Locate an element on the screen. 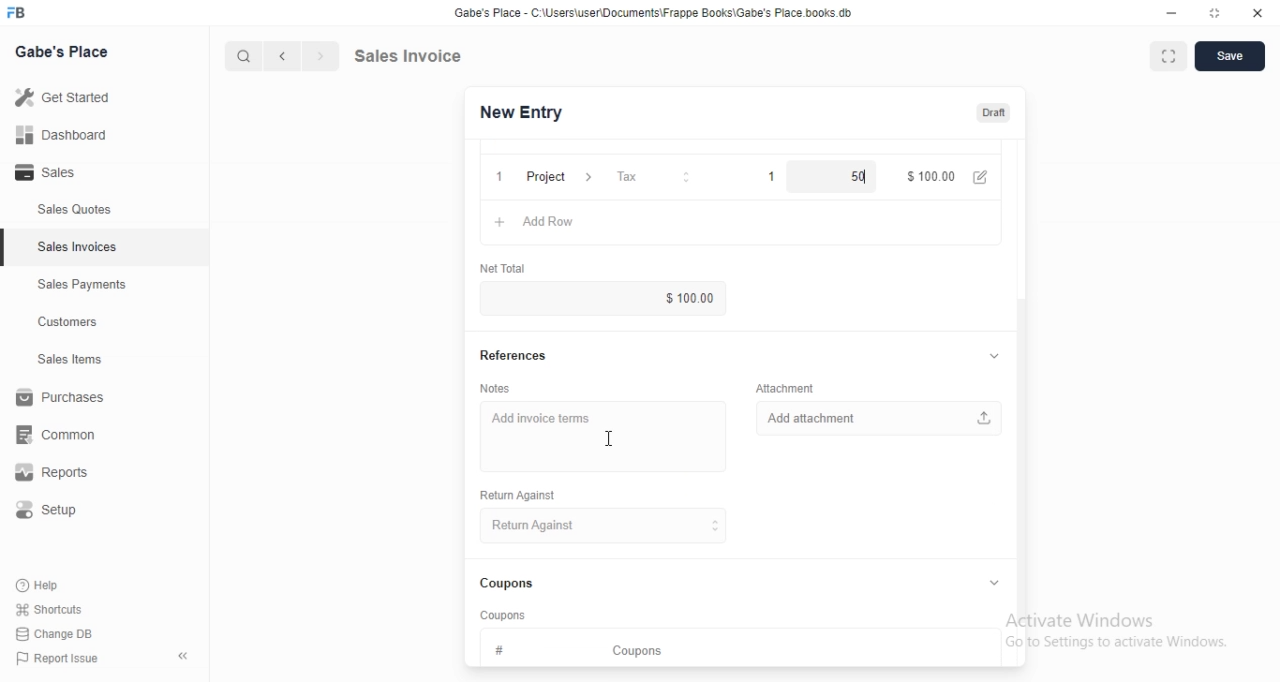  common is located at coordinates (62, 434).